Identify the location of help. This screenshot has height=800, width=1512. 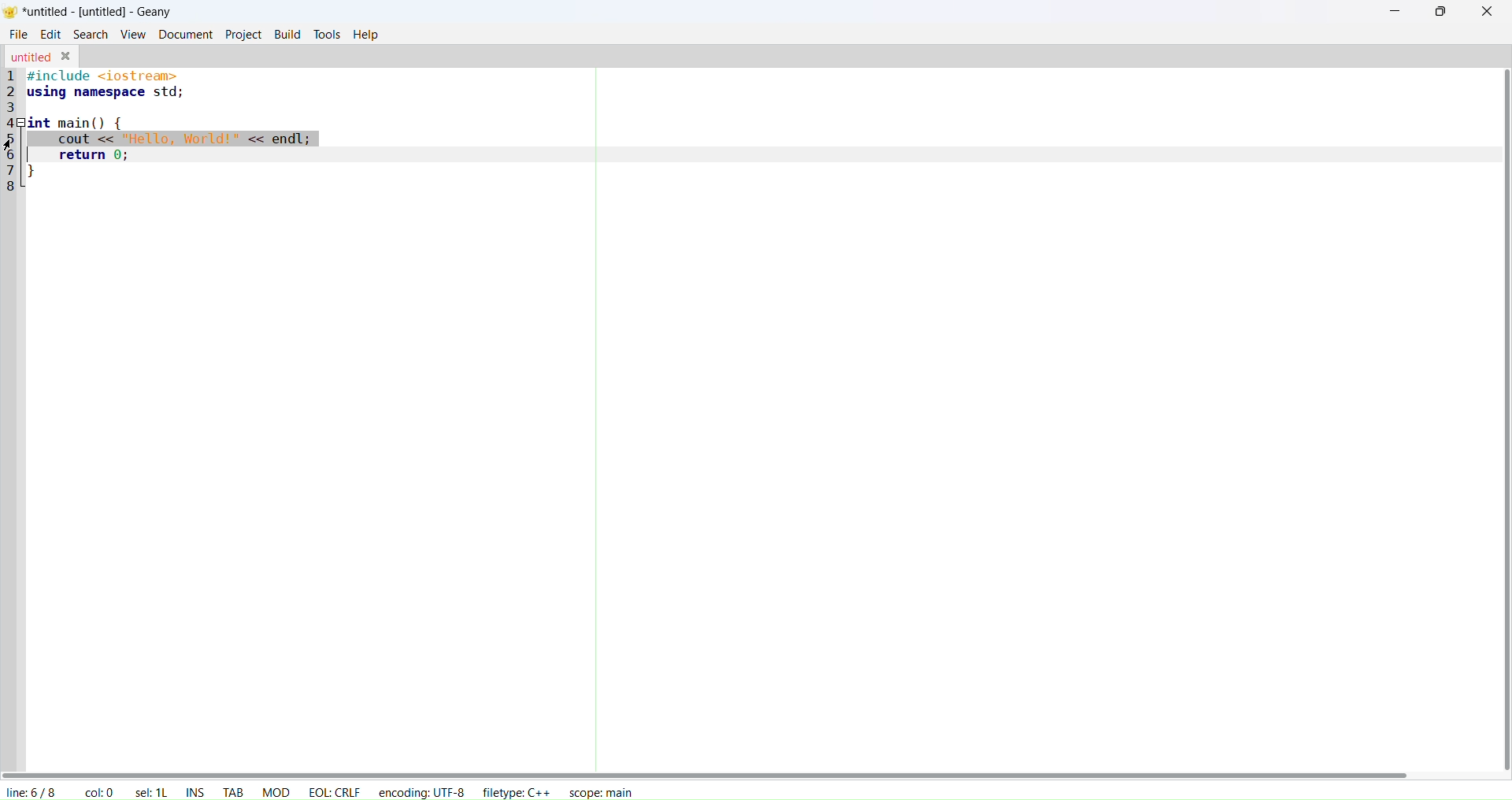
(368, 35).